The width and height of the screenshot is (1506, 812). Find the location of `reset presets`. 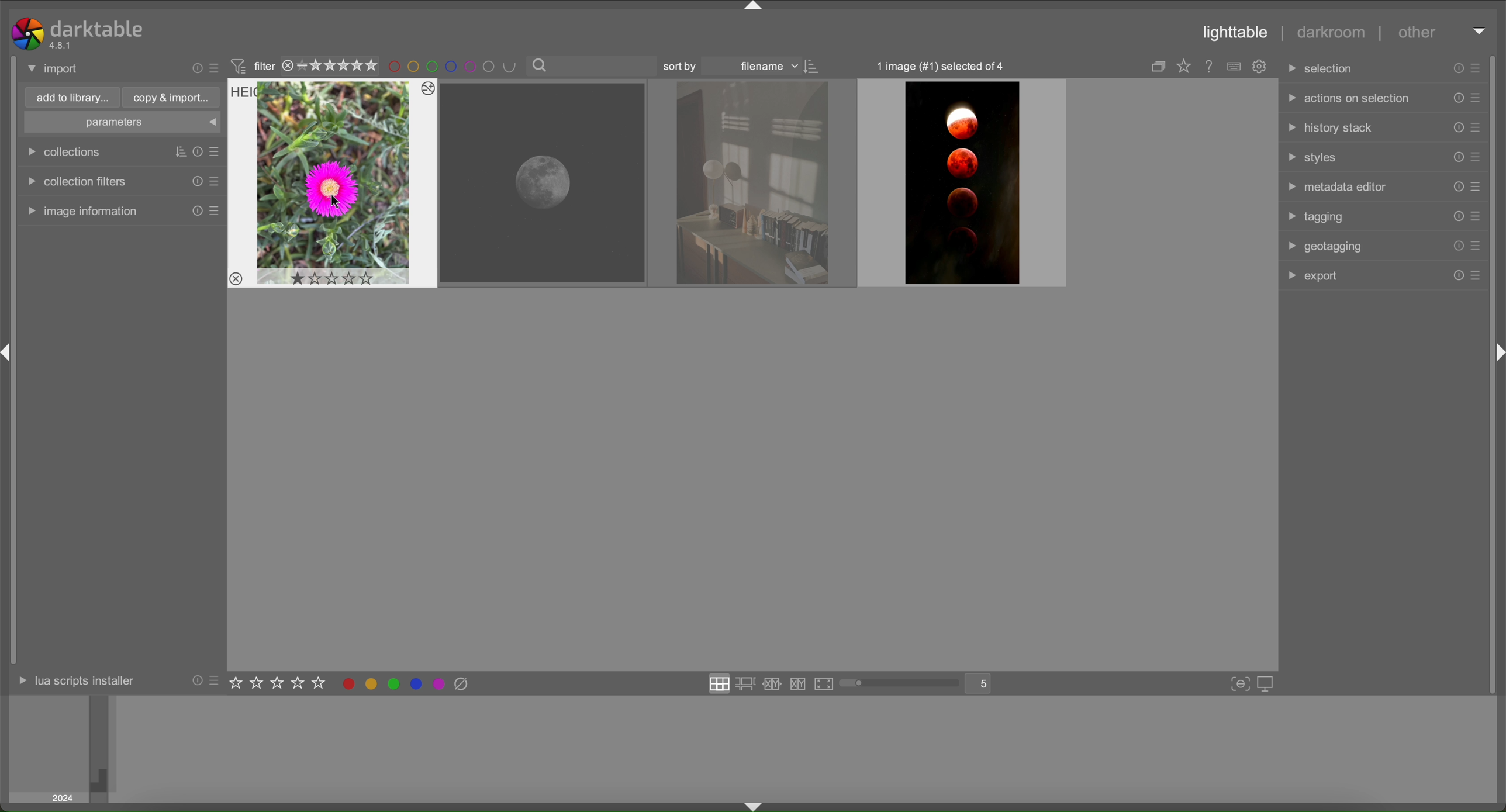

reset presets is located at coordinates (1456, 157).